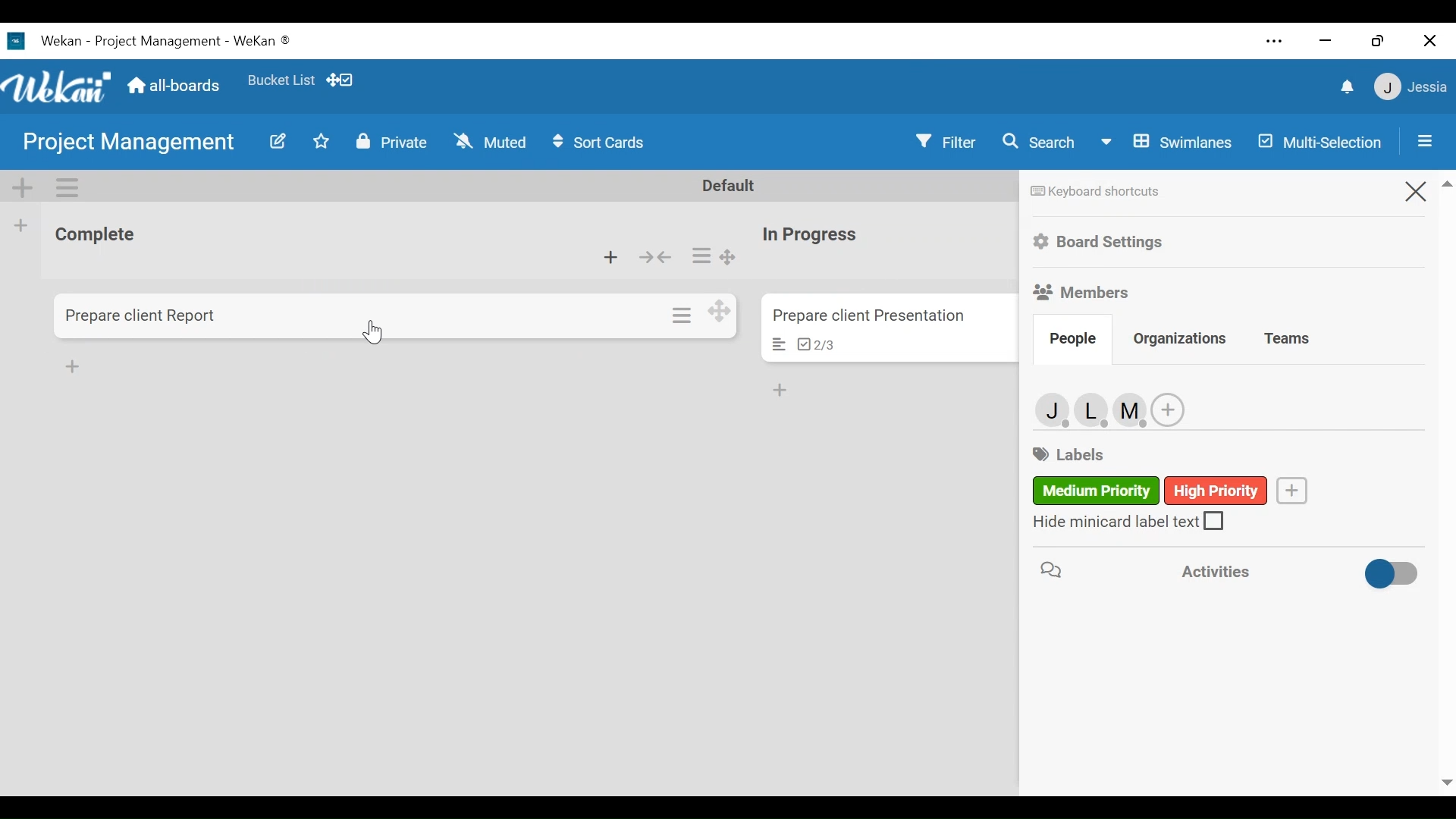  I want to click on Add Card at the bottom of the list, so click(72, 365).